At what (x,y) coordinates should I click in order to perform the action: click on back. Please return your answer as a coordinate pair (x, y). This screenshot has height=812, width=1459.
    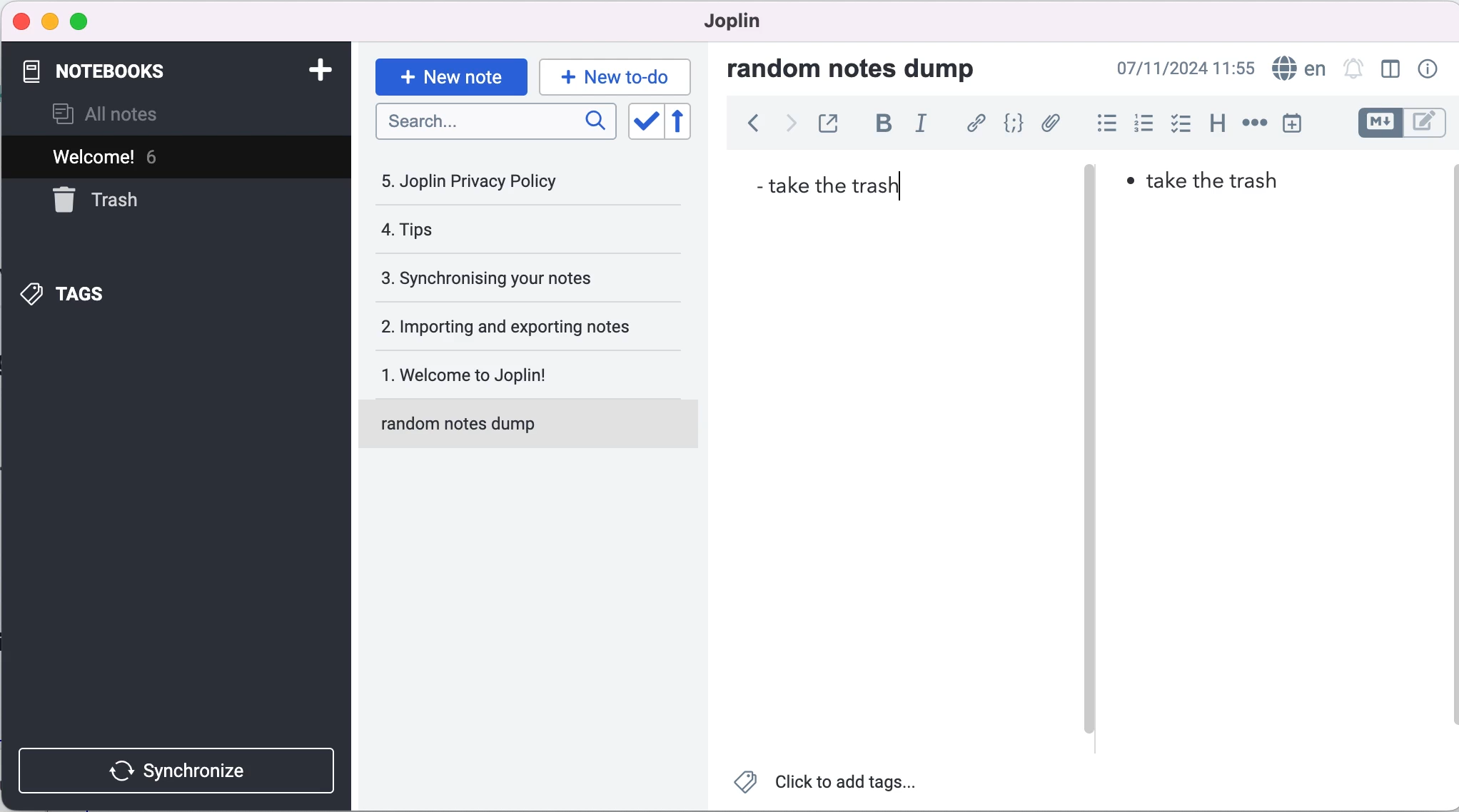
    Looking at the image, I should click on (746, 128).